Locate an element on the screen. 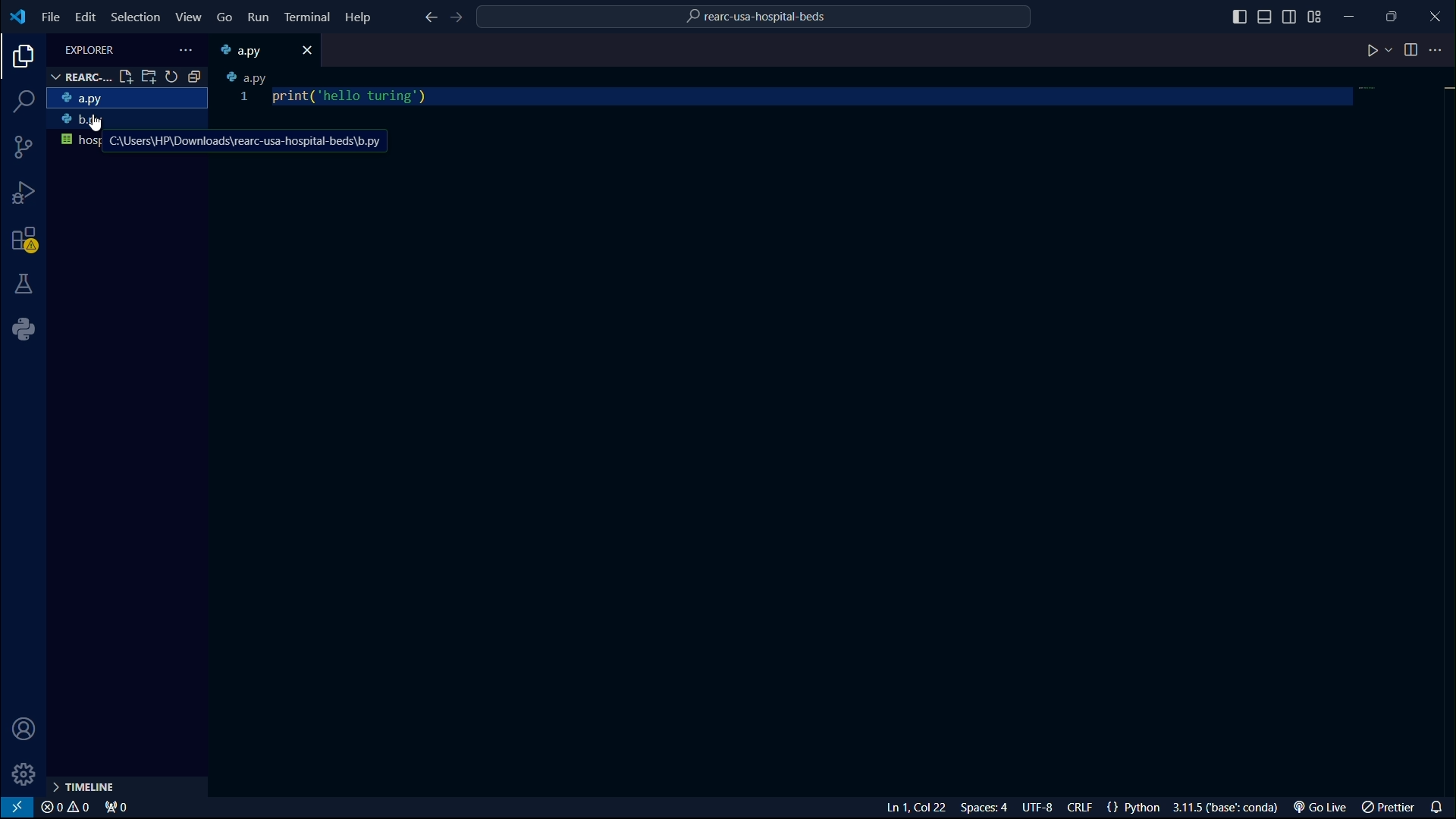 The width and height of the screenshot is (1456, 819). toggle secondary sidebar is located at coordinates (1291, 14).